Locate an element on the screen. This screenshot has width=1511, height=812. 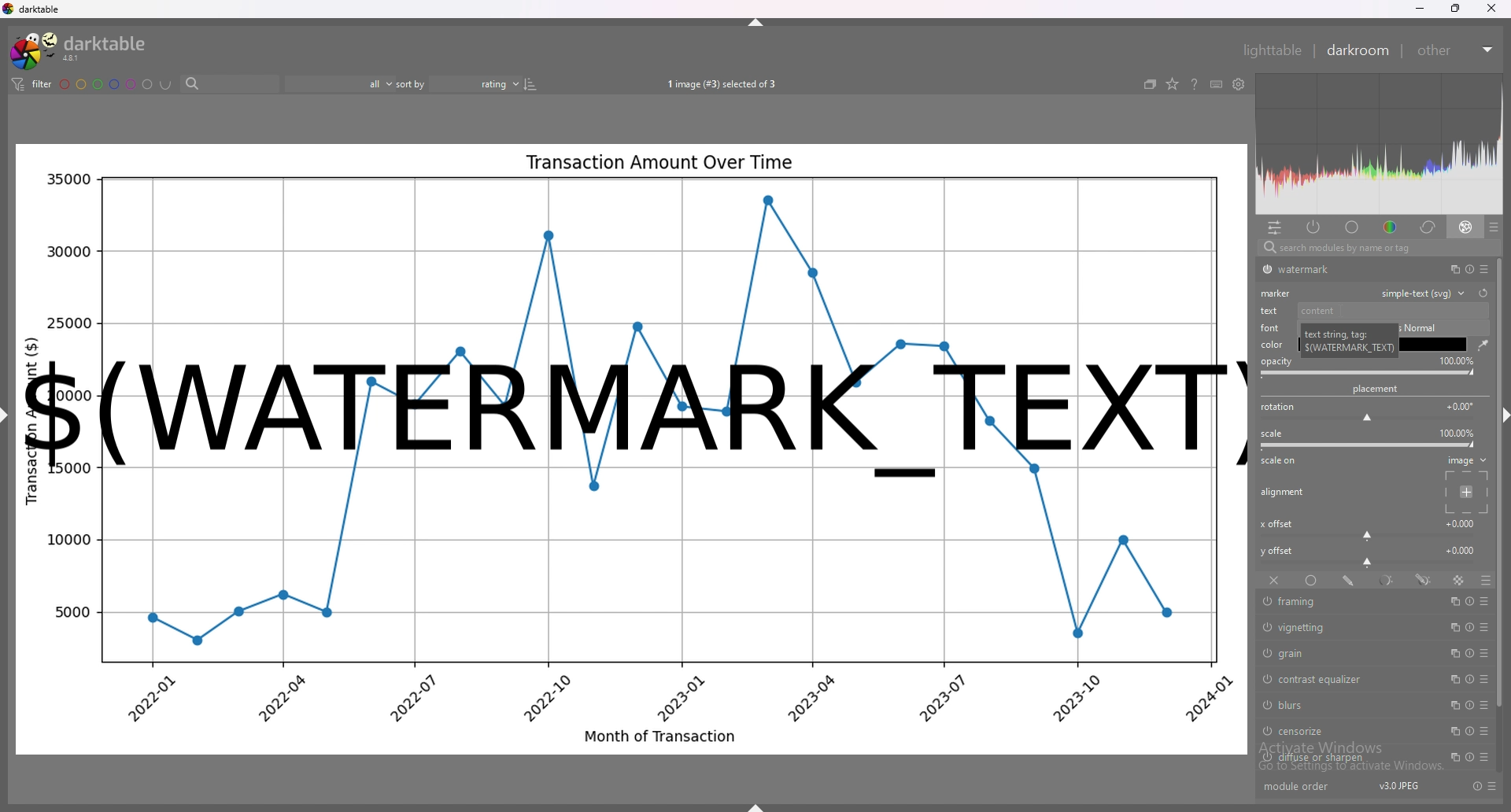
scale percentage is located at coordinates (1456, 433).